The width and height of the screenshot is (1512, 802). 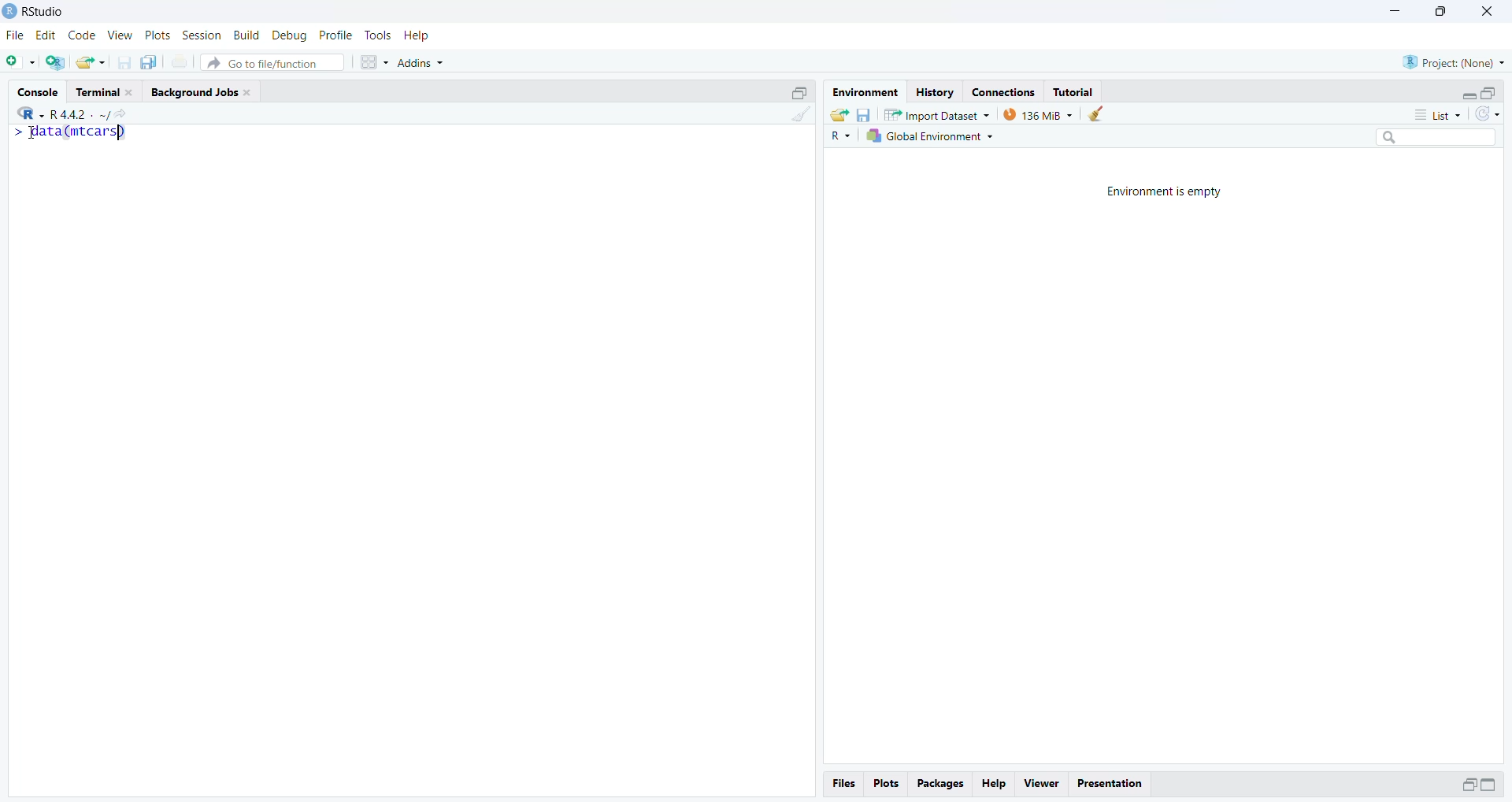 I want to click on Edit, so click(x=46, y=36).